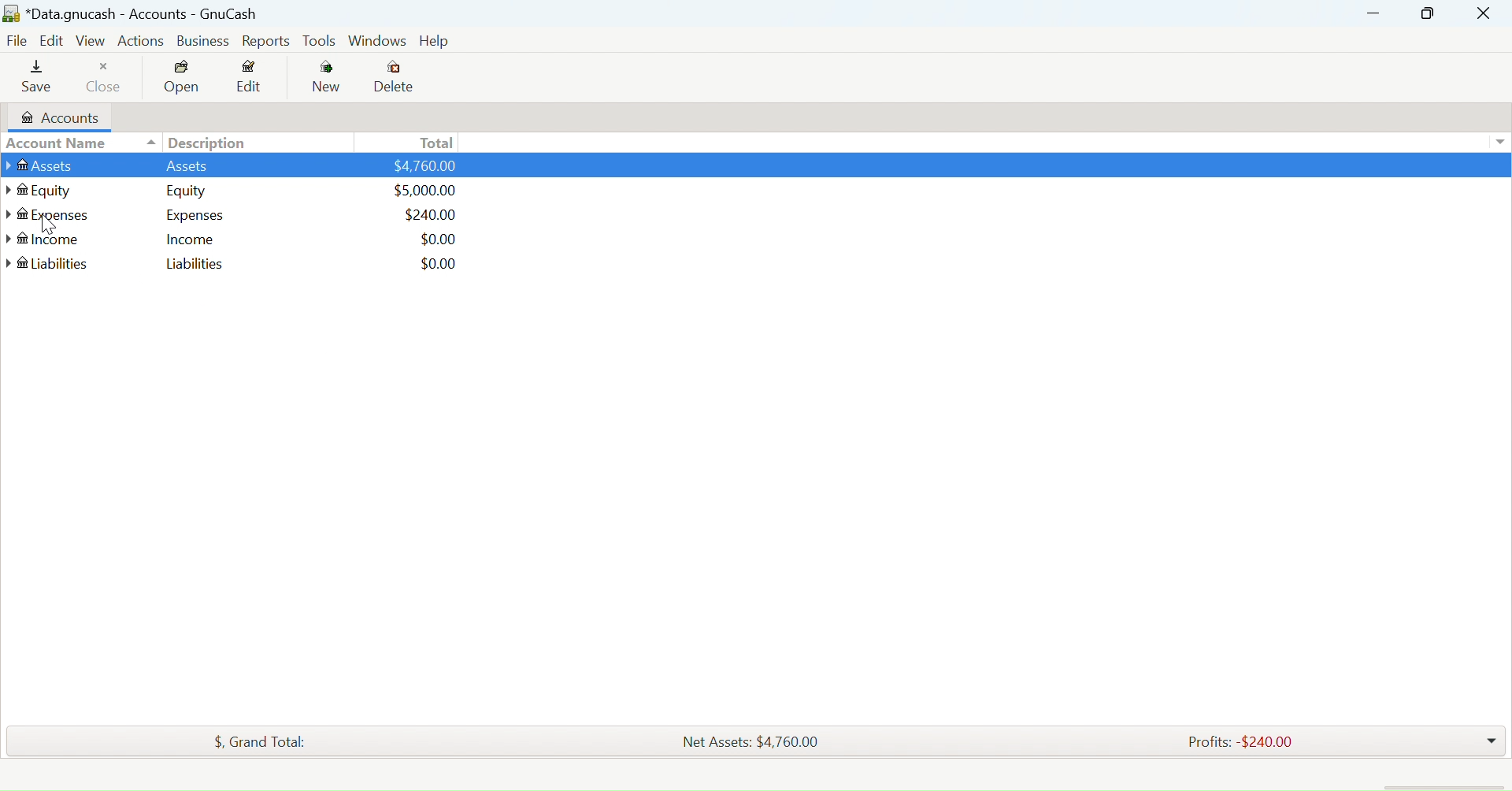  What do you see at coordinates (107, 79) in the screenshot?
I see `Close` at bounding box center [107, 79].